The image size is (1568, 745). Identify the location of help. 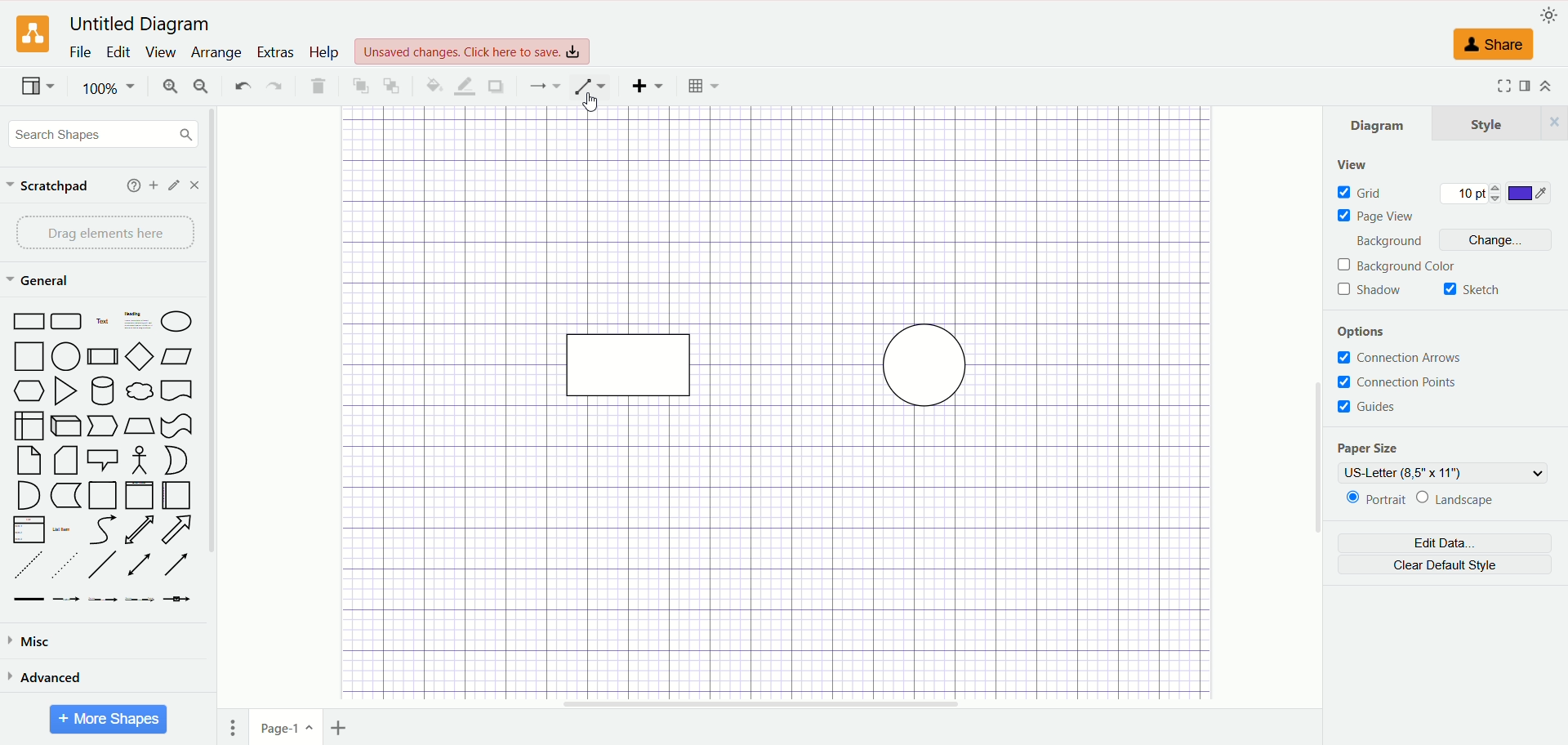
(131, 185).